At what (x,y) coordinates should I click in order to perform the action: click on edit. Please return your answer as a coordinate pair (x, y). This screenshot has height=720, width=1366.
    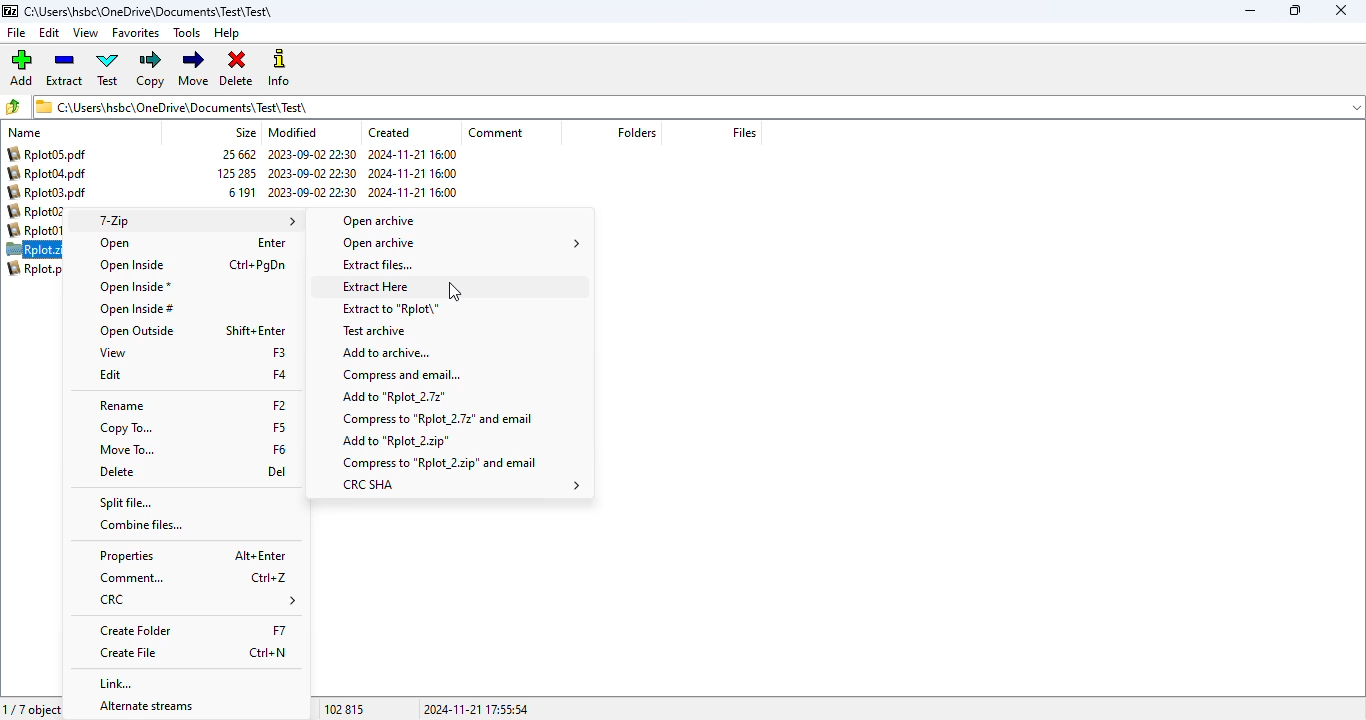
    Looking at the image, I should click on (110, 375).